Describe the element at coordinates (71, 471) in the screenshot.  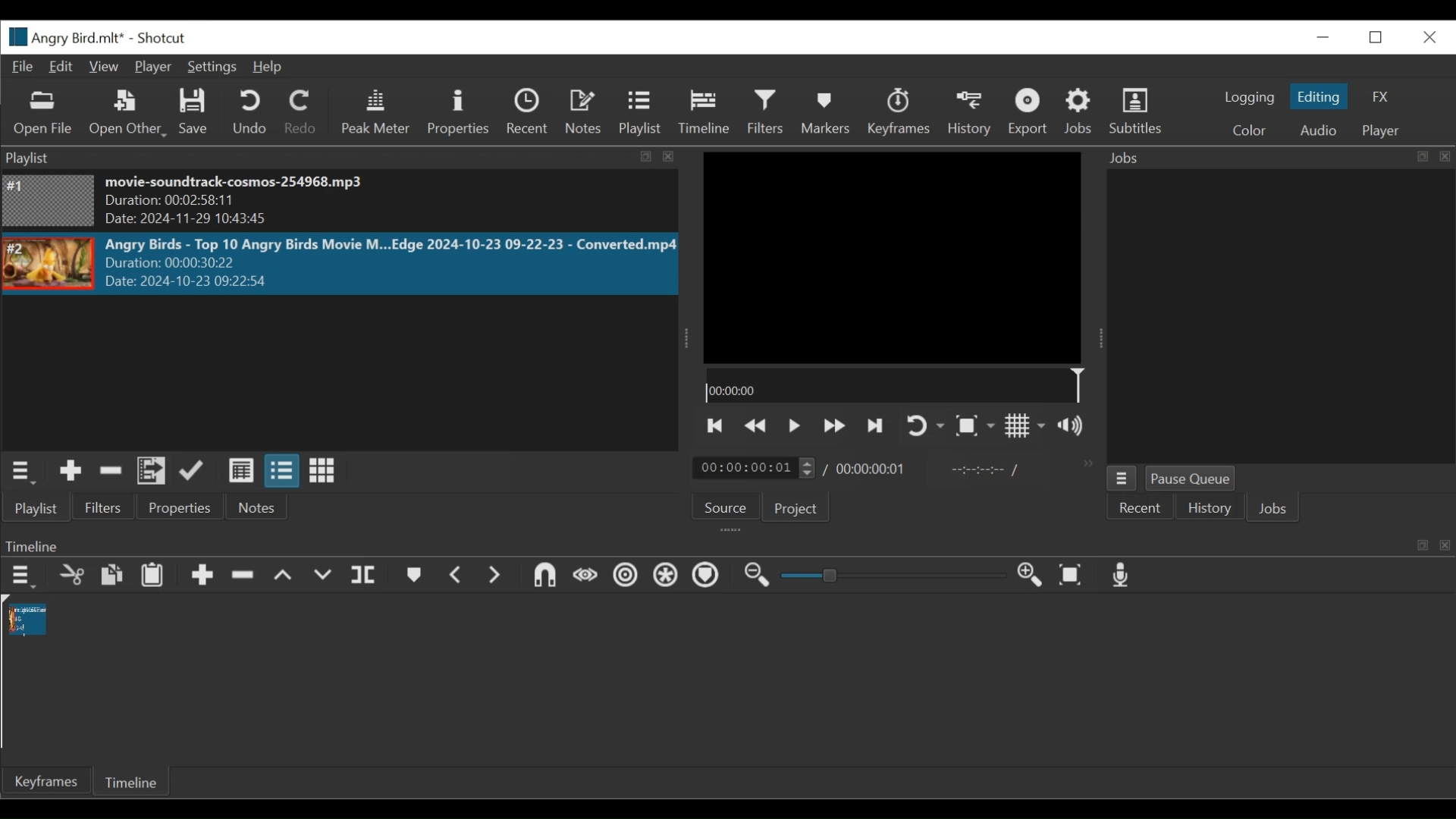
I see `Add the source to the playlist` at that location.